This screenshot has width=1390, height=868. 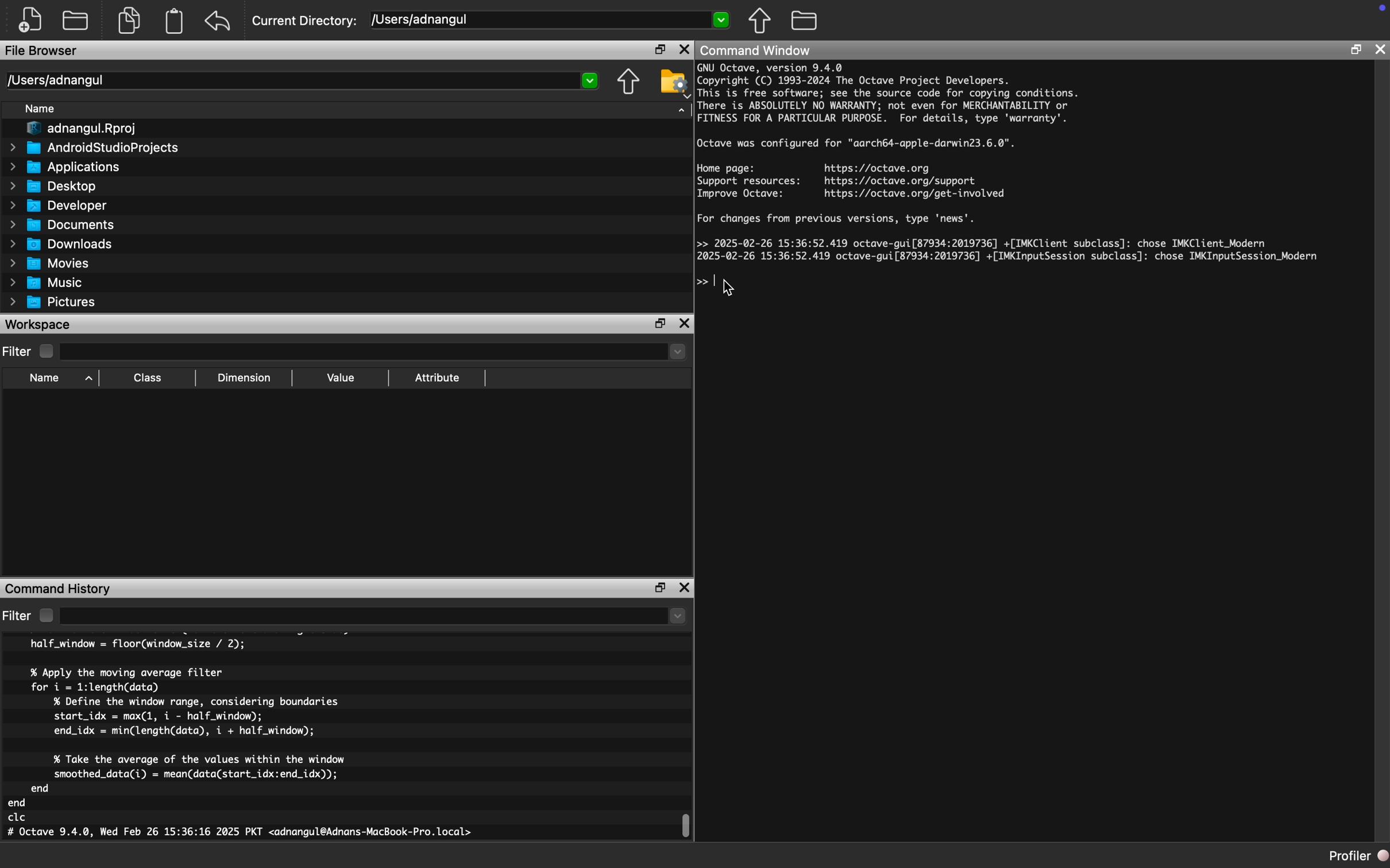 I want to click on Close, so click(x=684, y=50).